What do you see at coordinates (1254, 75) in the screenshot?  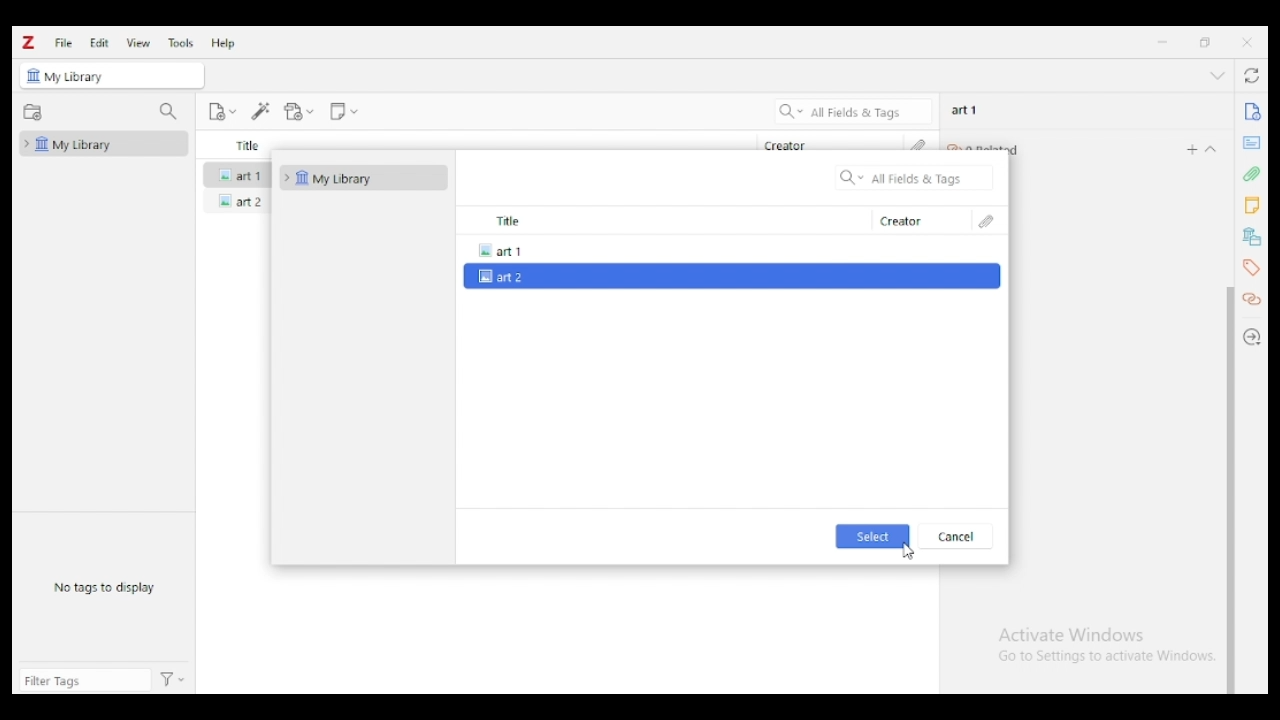 I see `sync with zotero.org` at bounding box center [1254, 75].